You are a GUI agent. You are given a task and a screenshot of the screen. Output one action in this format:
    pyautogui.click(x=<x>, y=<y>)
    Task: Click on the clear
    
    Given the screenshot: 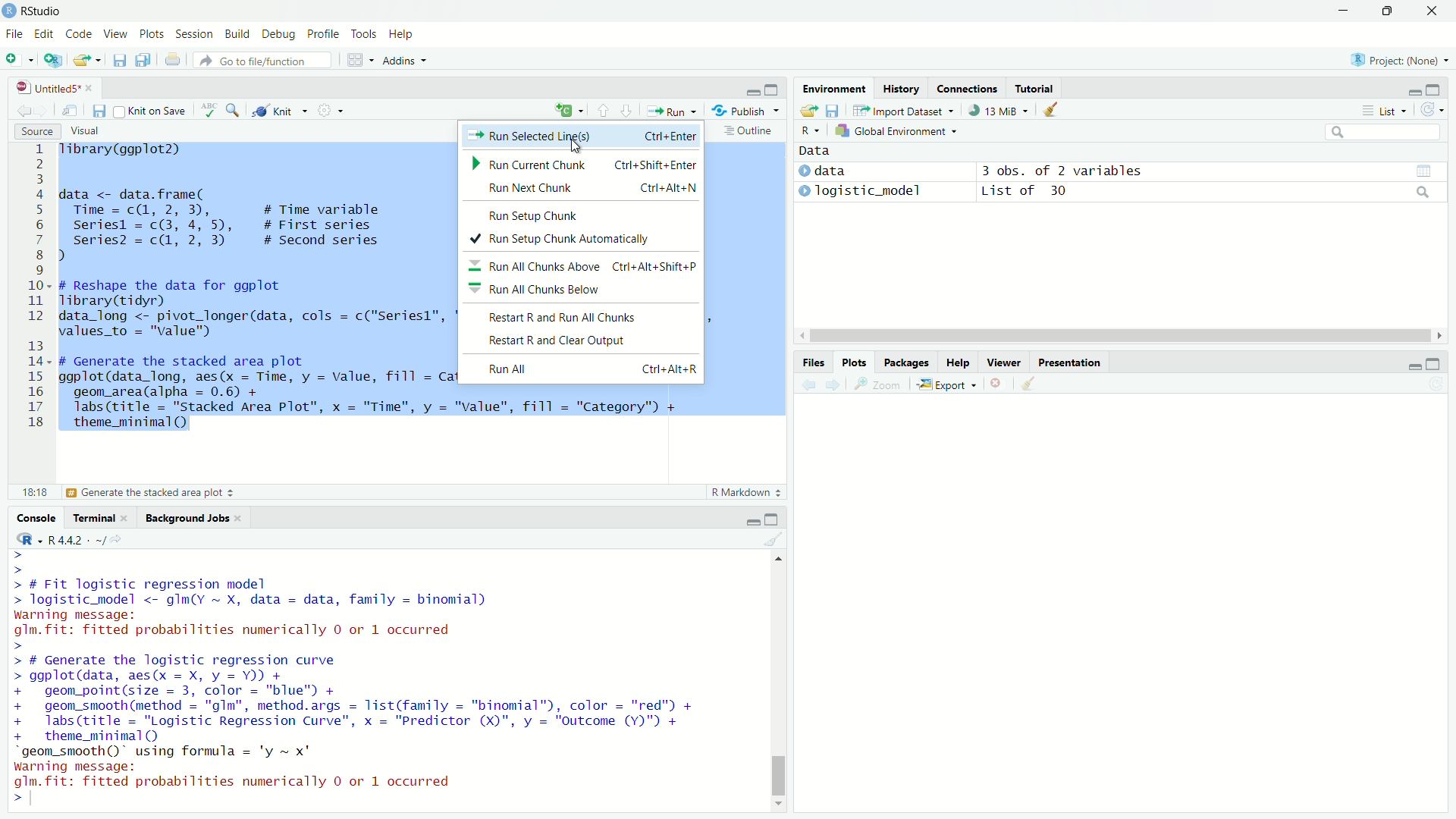 What is the action you would take?
    pyautogui.click(x=1053, y=110)
    